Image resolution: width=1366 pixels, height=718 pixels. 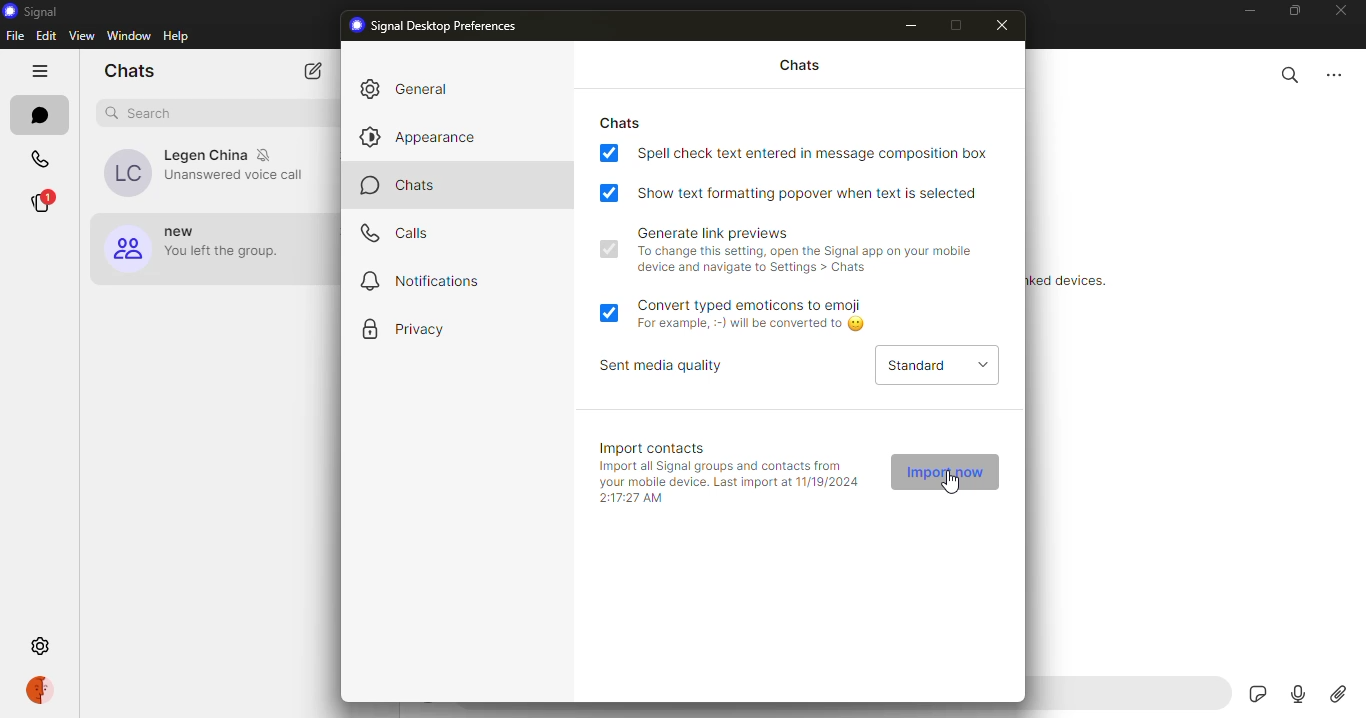 I want to click on minimize, so click(x=1249, y=12).